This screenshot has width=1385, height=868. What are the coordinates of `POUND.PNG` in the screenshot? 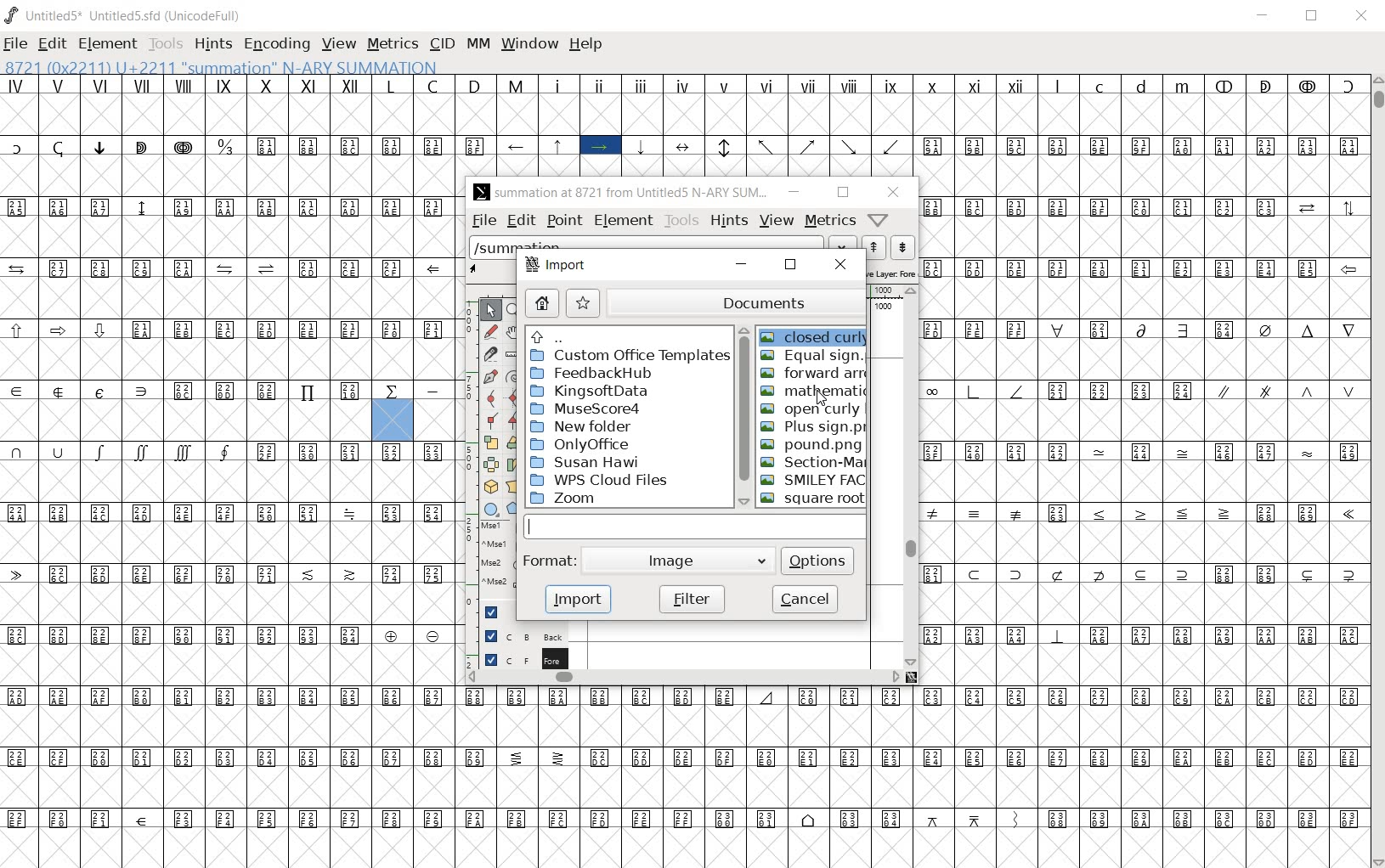 It's located at (811, 446).